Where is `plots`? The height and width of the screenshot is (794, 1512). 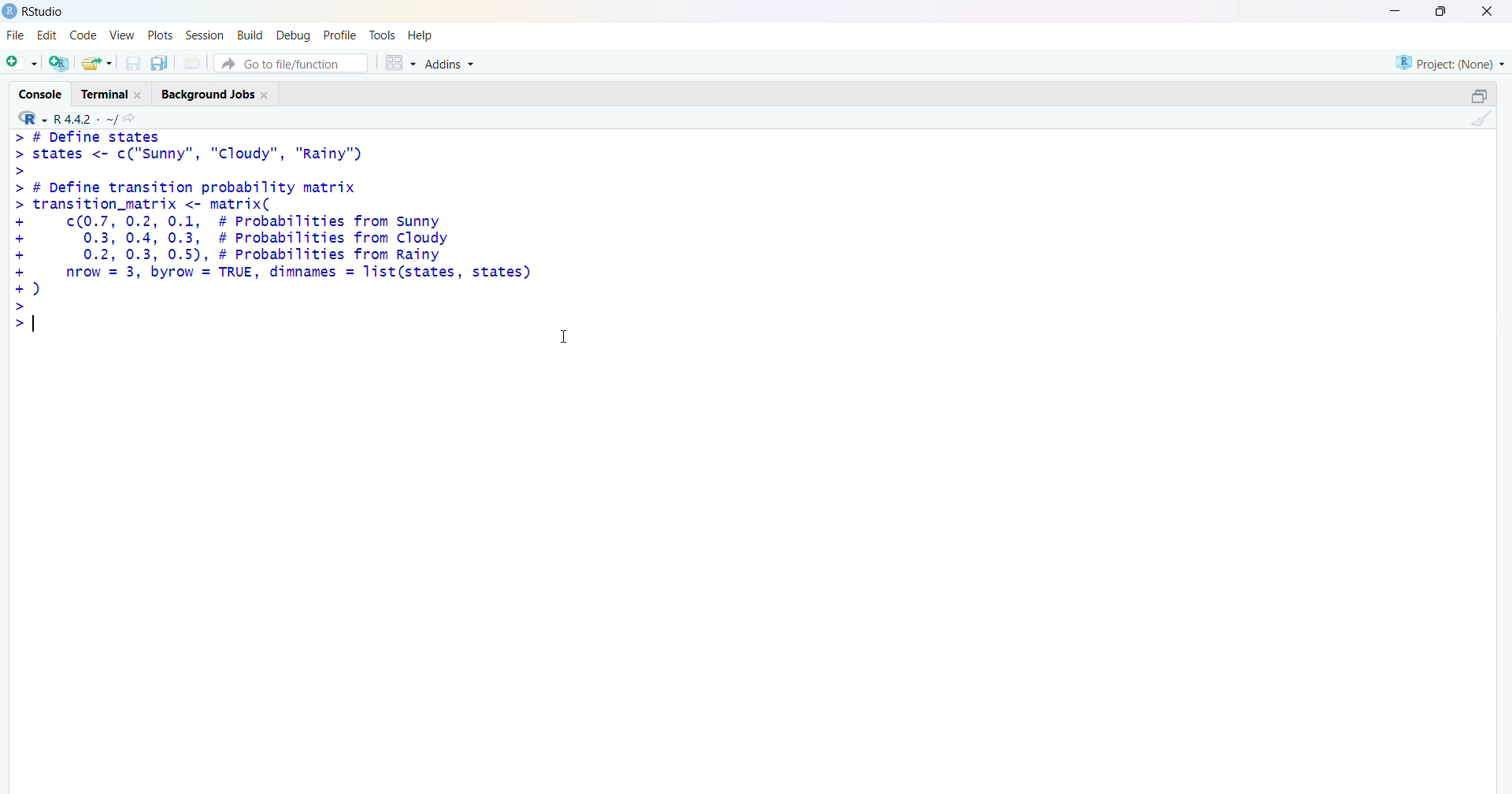
plots is located at coordinates (162, 34).